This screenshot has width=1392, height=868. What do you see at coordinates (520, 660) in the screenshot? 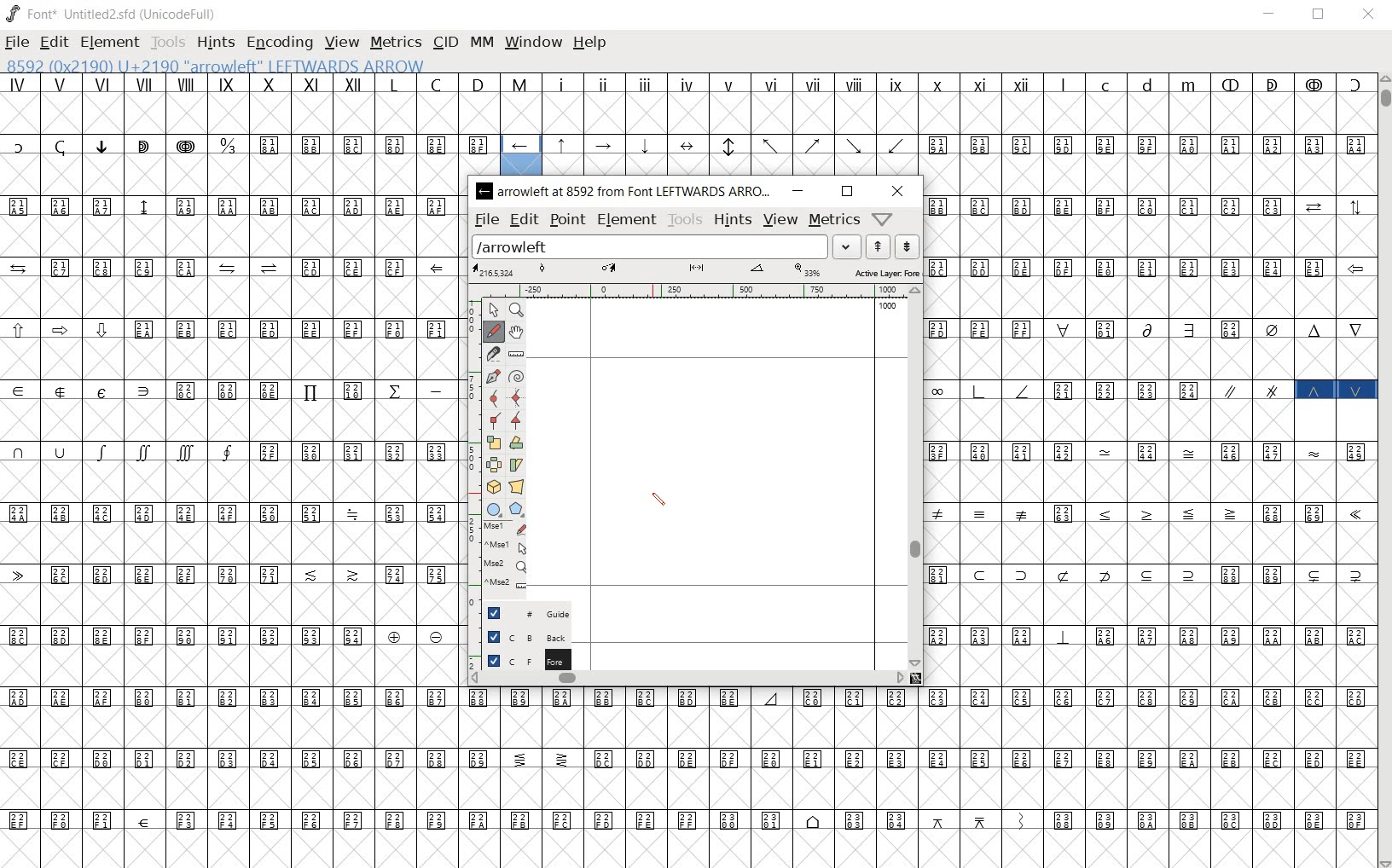
I see `foreground layer` at bounding box center [520, 660].